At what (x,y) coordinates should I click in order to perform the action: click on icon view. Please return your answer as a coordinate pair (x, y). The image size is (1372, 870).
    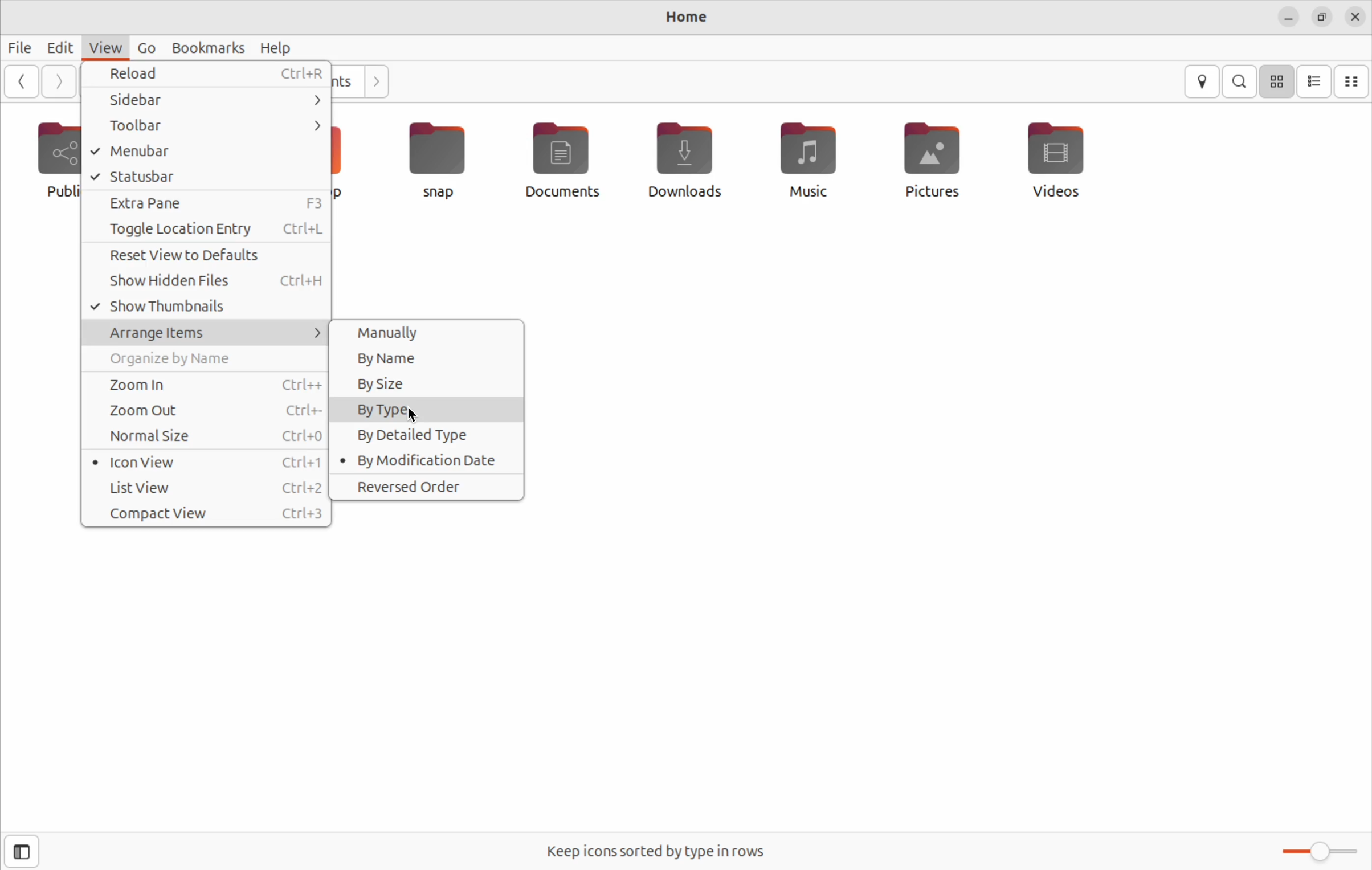
    Looking at the image, I should click on (1277, 80).